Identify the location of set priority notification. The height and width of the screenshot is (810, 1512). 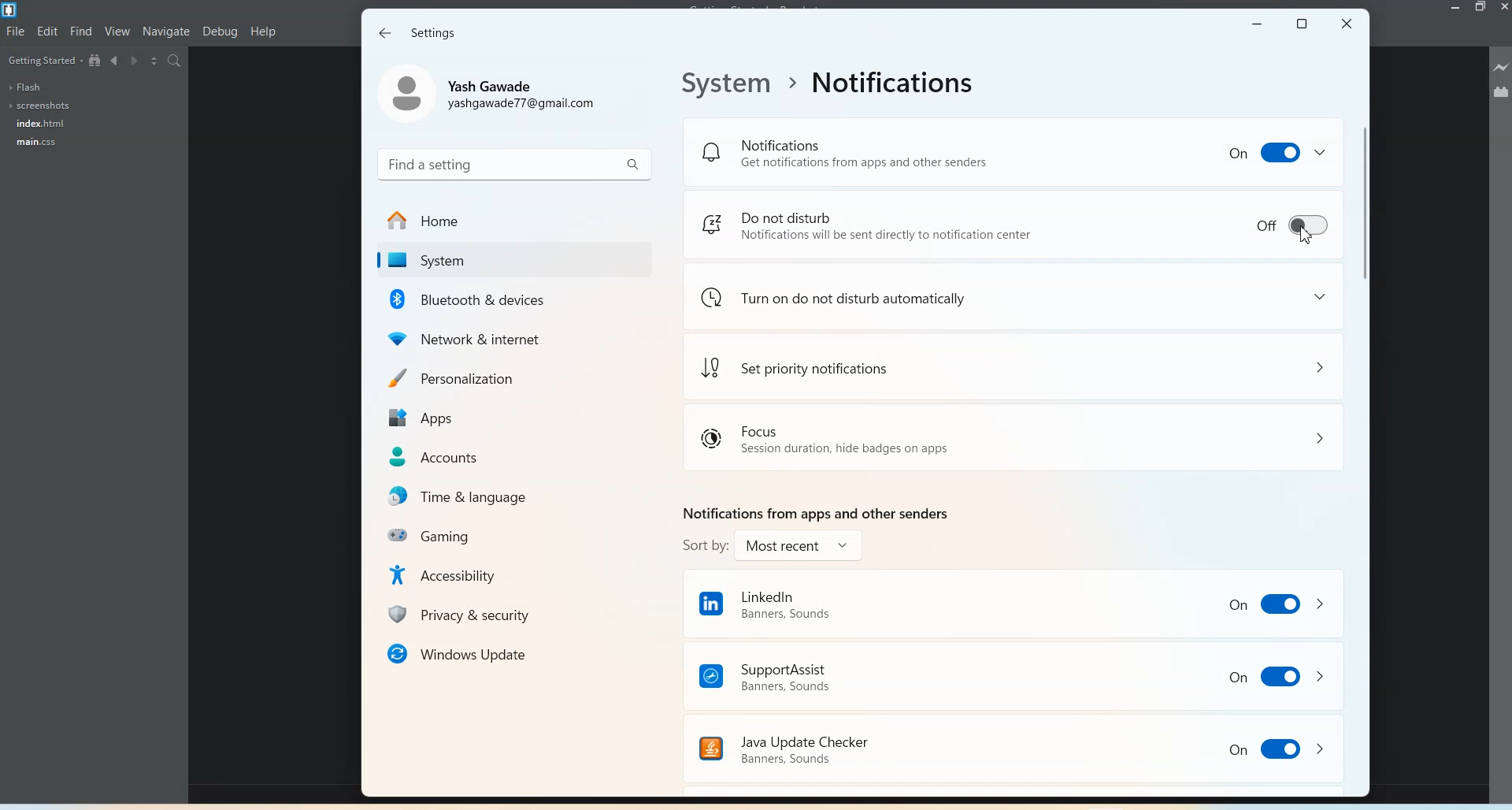
(1015, 366).